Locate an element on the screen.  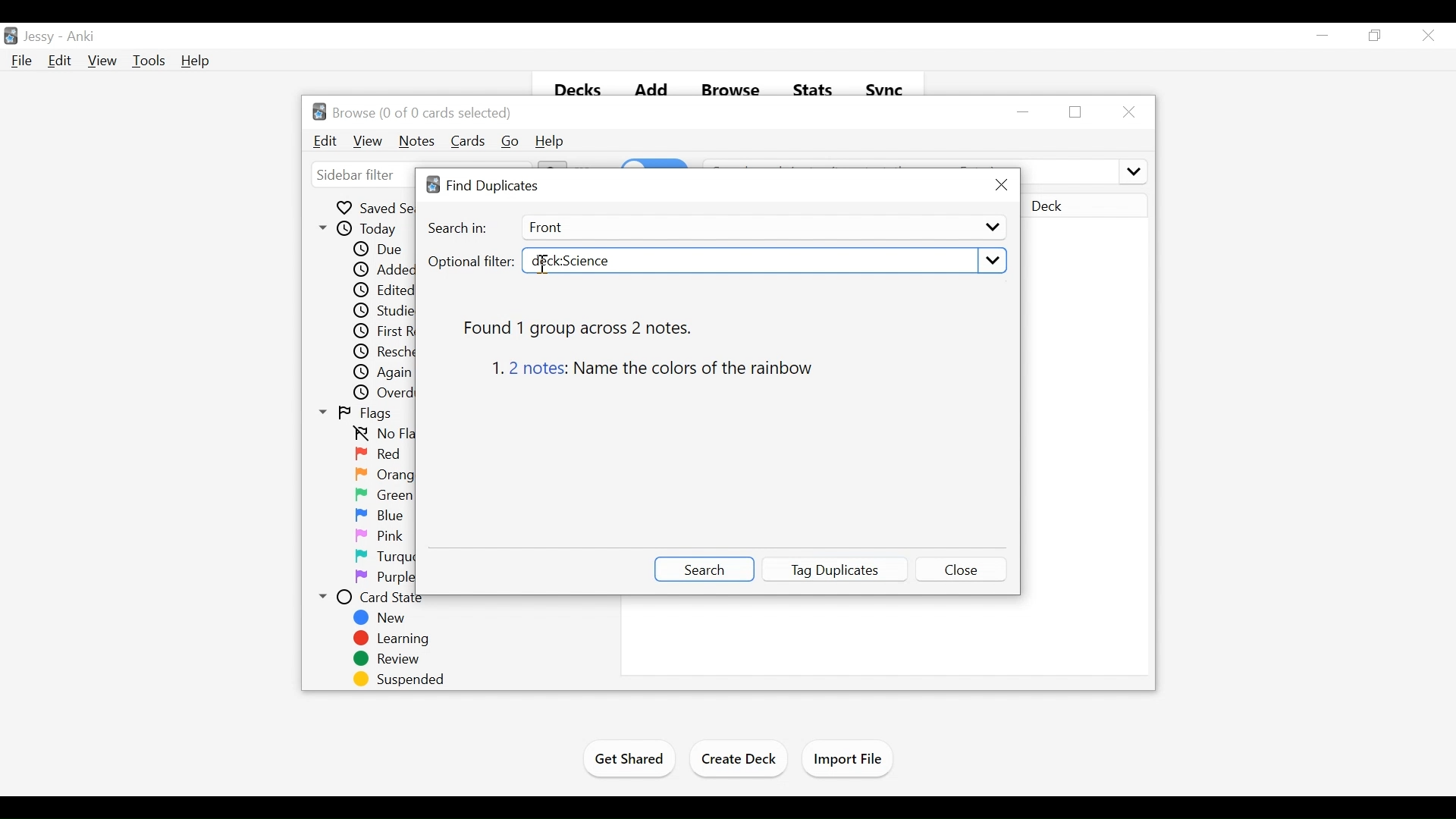
Front is located at coordinates (761, 227).